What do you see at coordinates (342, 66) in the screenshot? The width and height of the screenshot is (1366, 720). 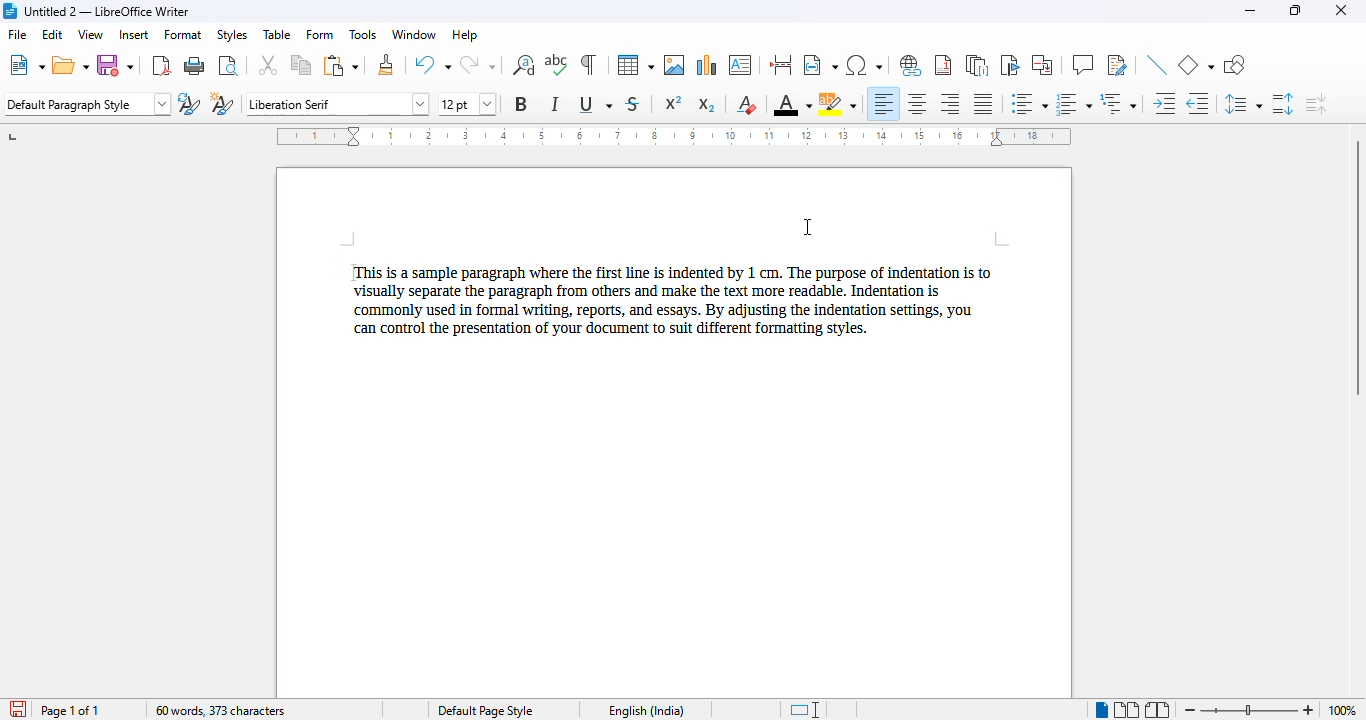 I see `paste` at bounding box center [342, 66].